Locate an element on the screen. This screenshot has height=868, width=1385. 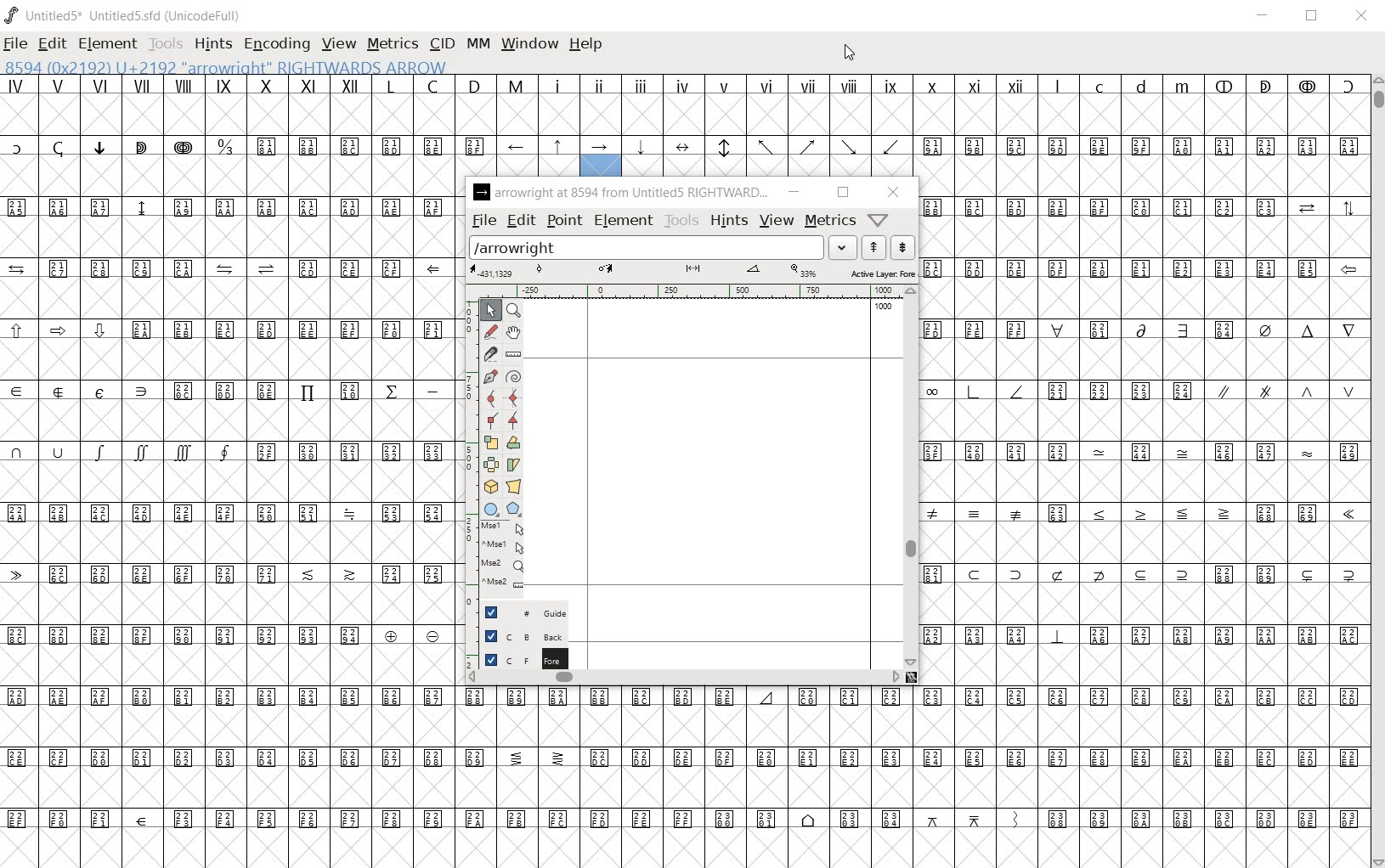
tools is located at coordinates (682, 220).